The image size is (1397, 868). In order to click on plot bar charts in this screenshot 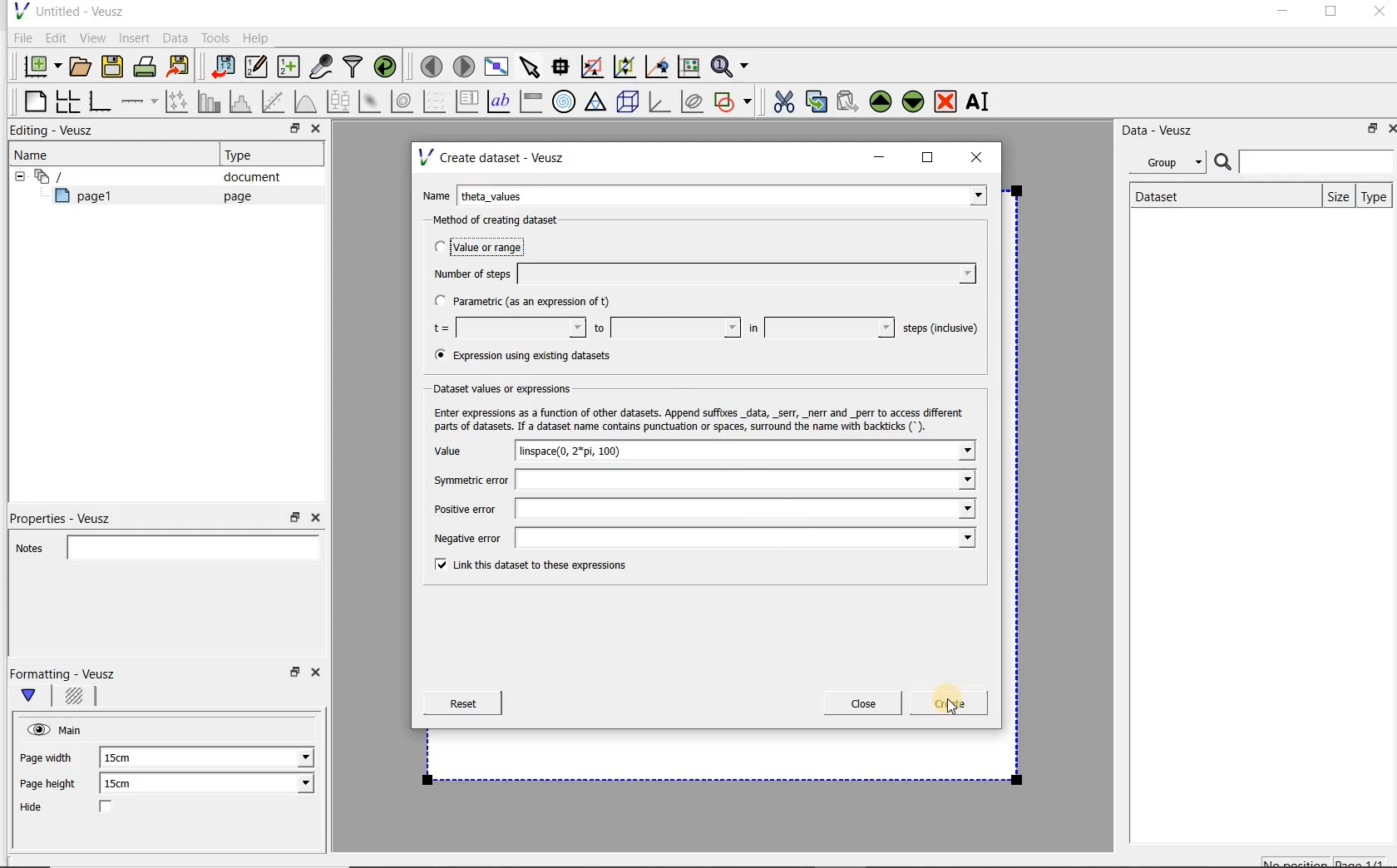, I will do `click(210, 101)`.